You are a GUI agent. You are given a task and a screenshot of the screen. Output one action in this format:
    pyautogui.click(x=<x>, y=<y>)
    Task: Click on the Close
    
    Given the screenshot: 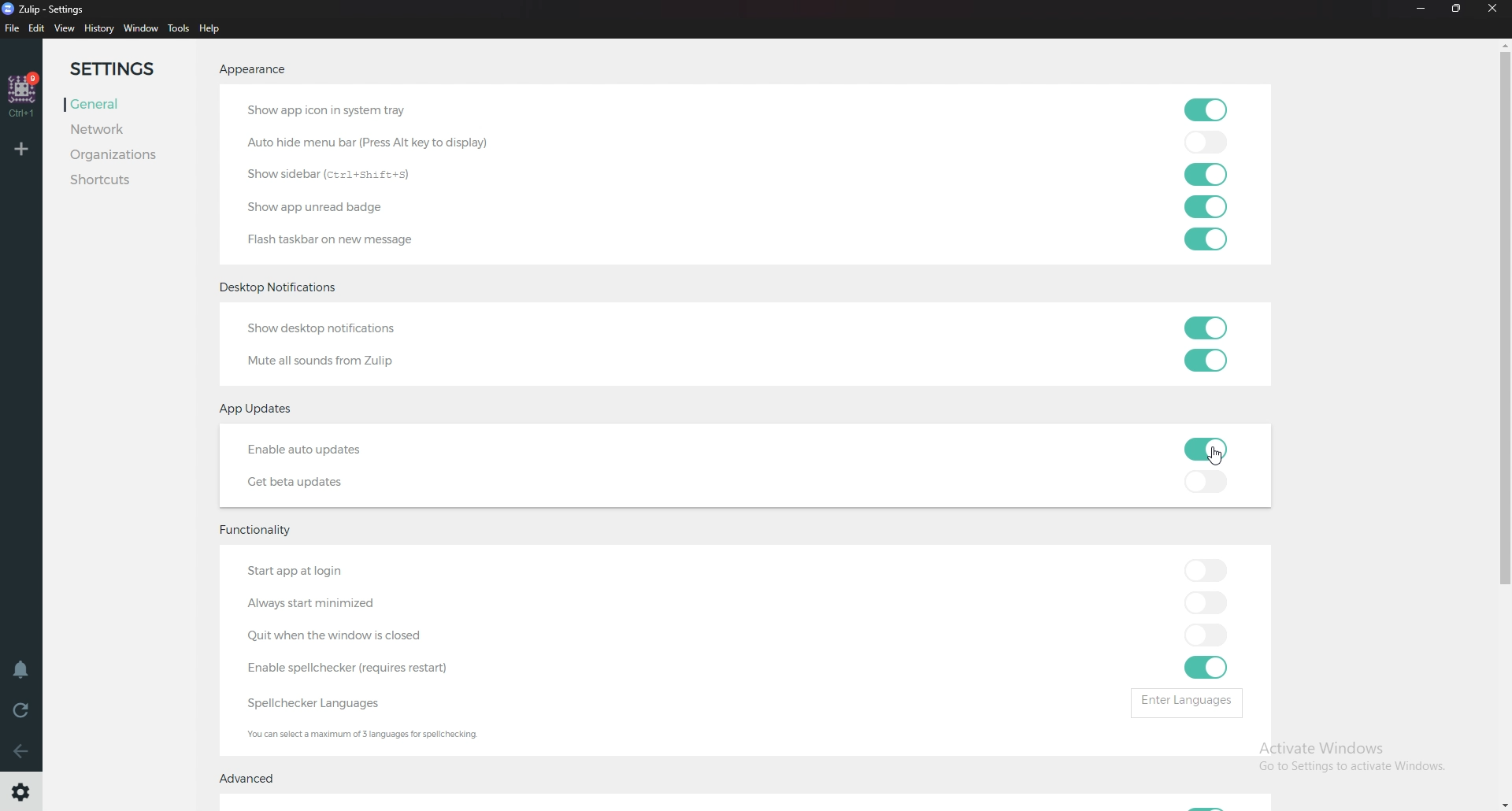 What is the action you would take?
    pyautogui.click(x=1496, y=13)
    